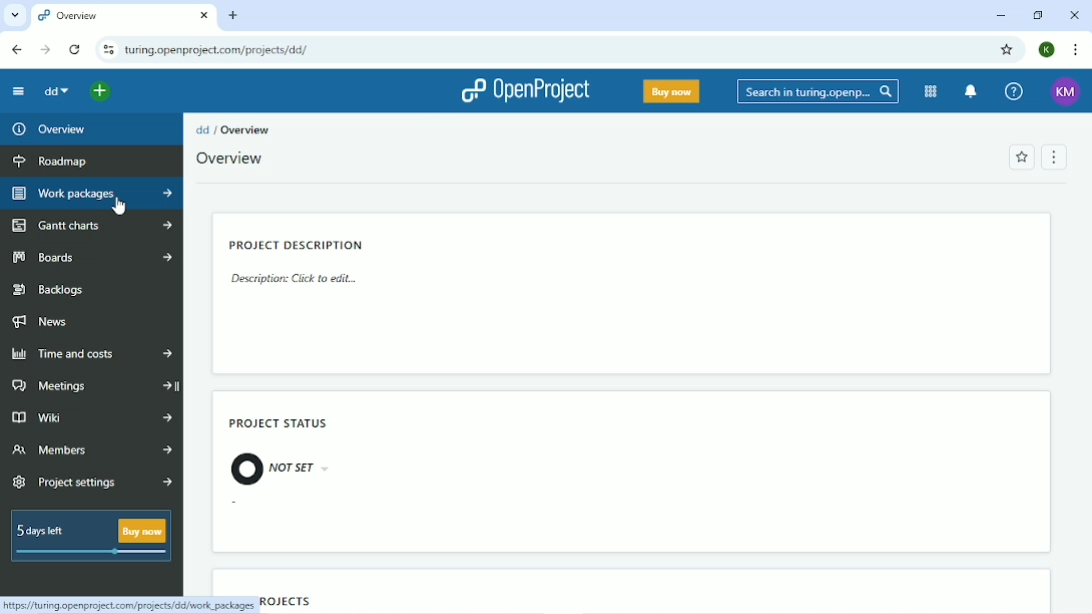 This screenshot has height=614, width=1092. What do you see at coordinates (15, 15) in the screenshot?
I see `Search tabs` at bounding box center [15, 15].